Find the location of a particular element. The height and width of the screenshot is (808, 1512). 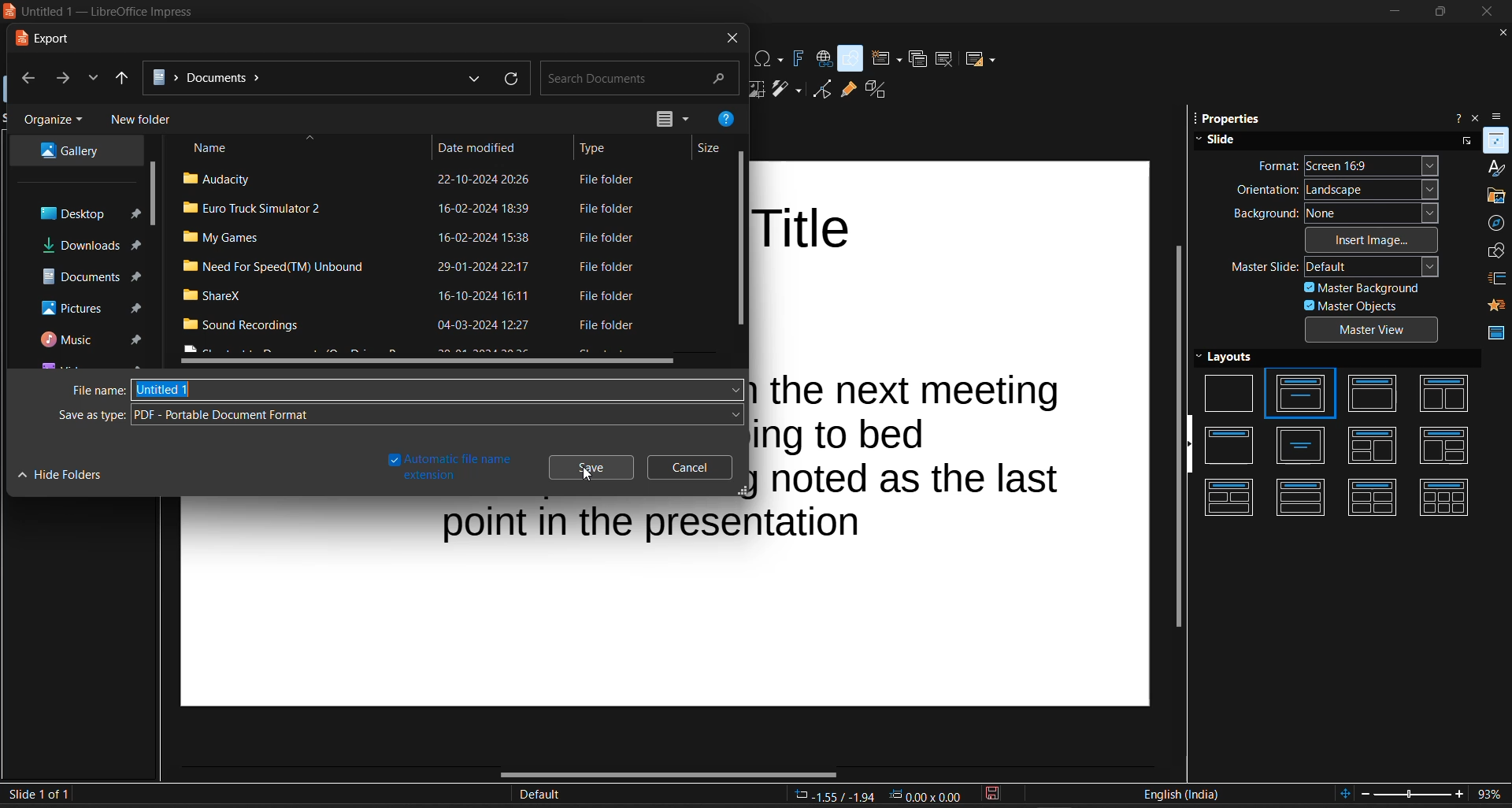

get help is located at coordinates (724, 120).